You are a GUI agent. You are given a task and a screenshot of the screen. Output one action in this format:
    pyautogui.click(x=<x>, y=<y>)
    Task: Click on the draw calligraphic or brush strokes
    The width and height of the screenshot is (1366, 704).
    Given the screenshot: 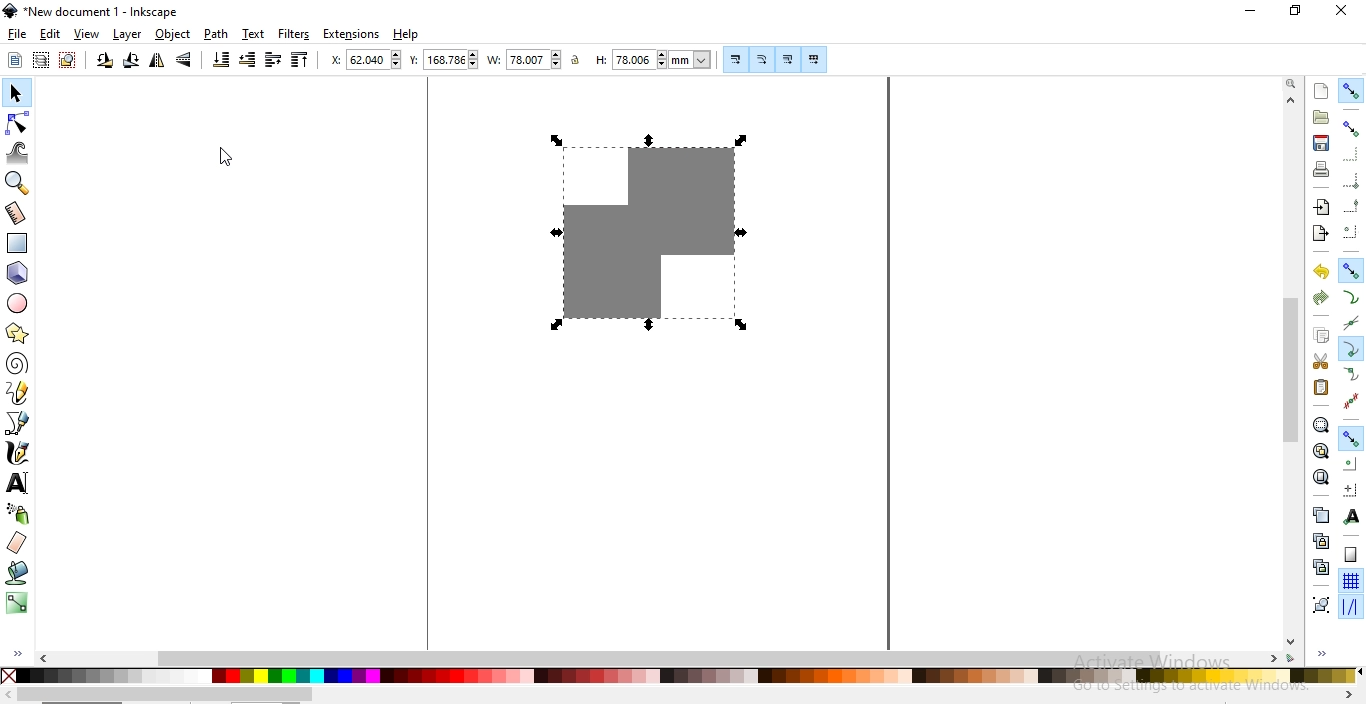 What is the action you would take?
    pyautogui.click(x=18, y=454)
    